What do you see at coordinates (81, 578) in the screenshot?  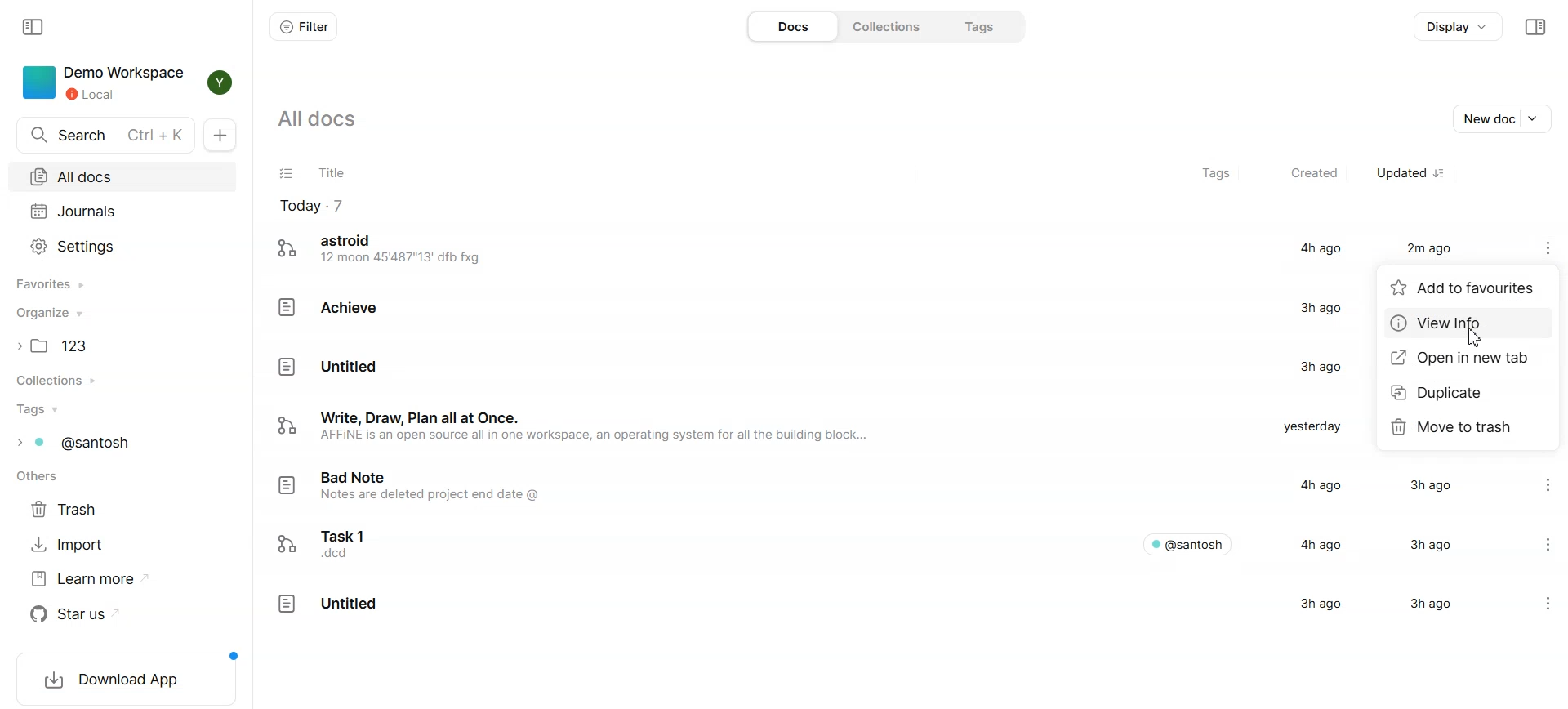 I see `Learn more` at bounding box center [81, 578].